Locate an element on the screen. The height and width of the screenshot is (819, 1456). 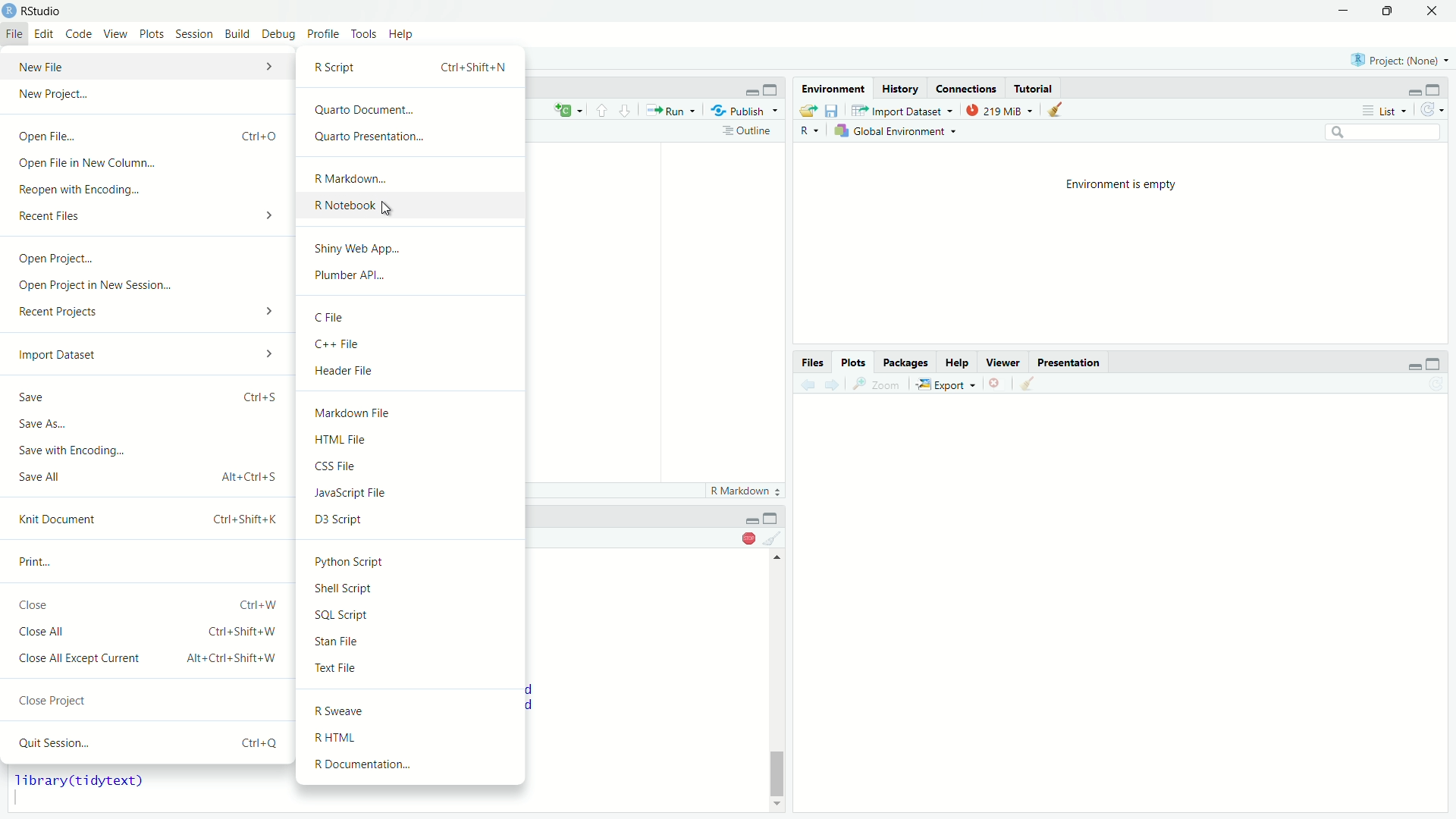
import database is located at coordinates (903, 111).